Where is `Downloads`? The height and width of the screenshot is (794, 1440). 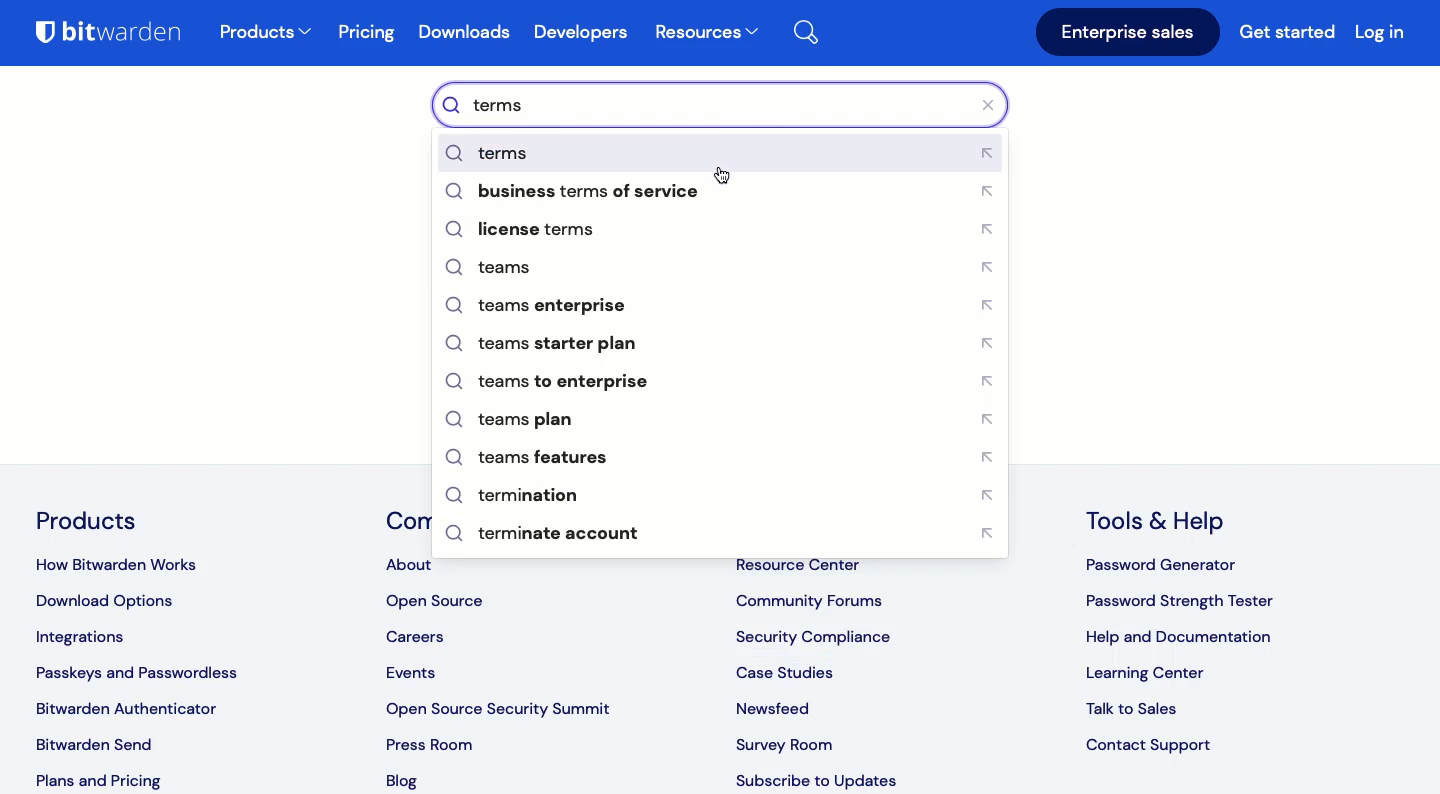
Downloads is located at coordinates (469, 35).